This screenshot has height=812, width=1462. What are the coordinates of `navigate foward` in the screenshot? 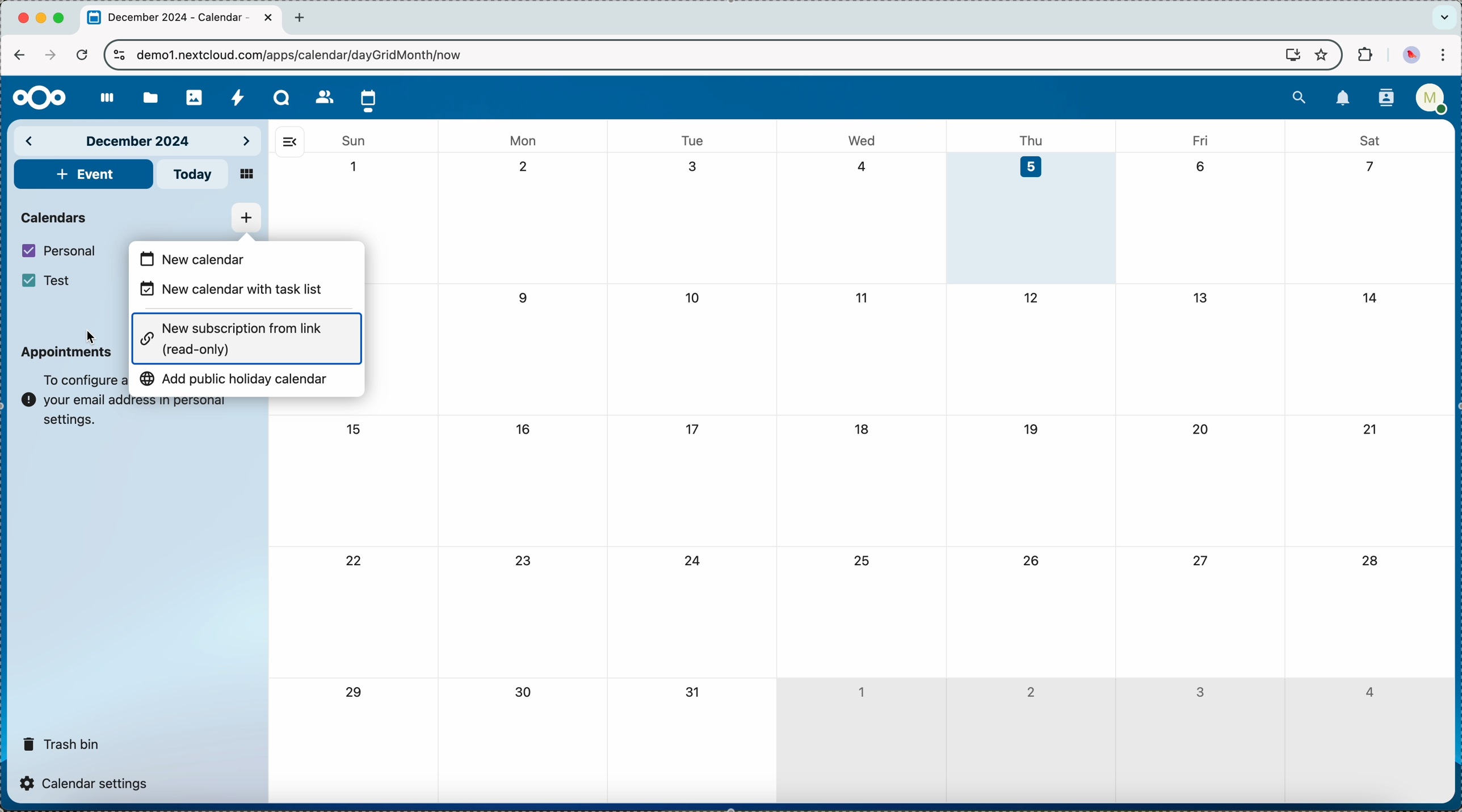 It's located at (48, 55).